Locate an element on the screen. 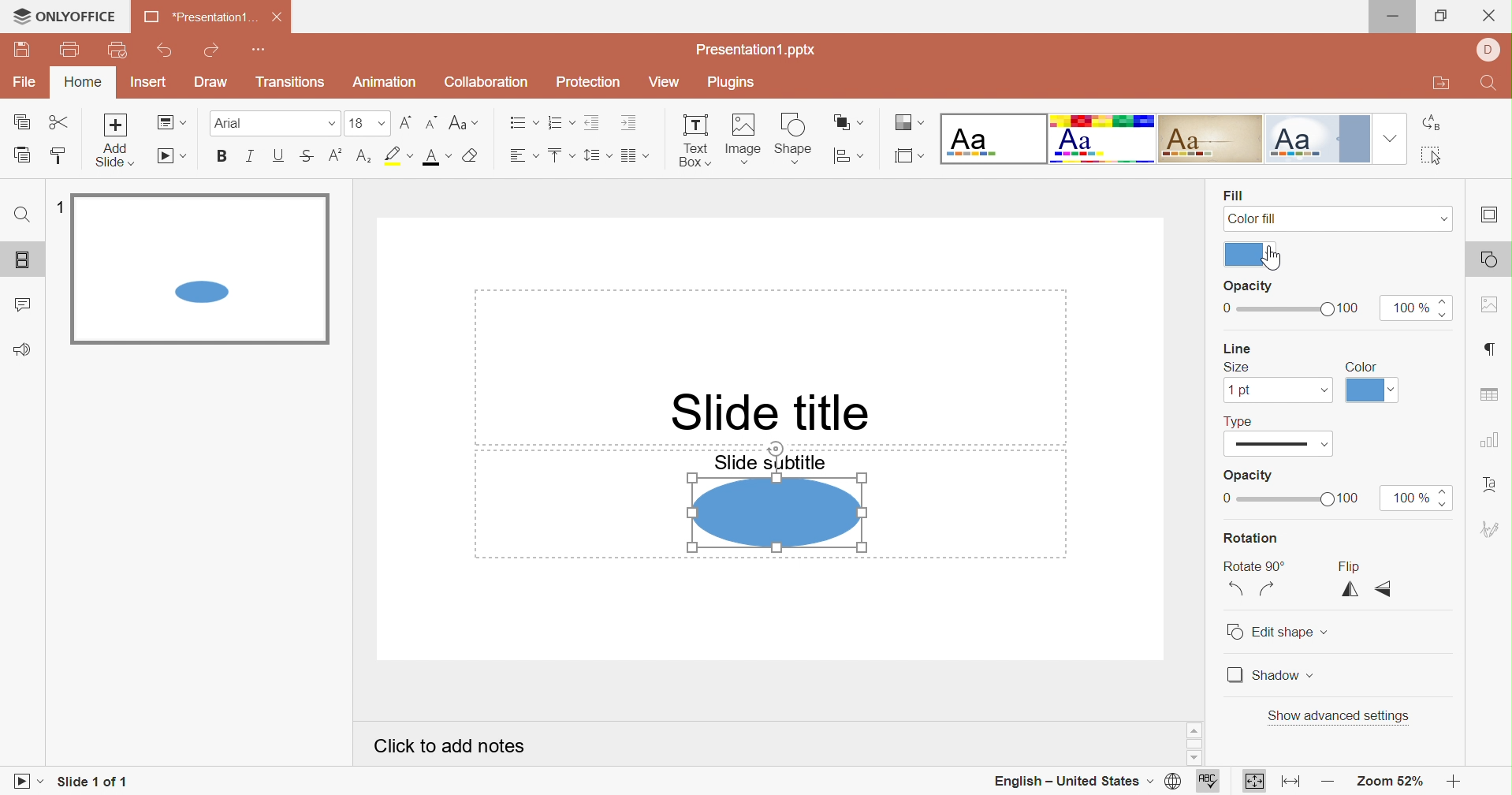  Flip horizontally is located at coordinates (1349, 590).